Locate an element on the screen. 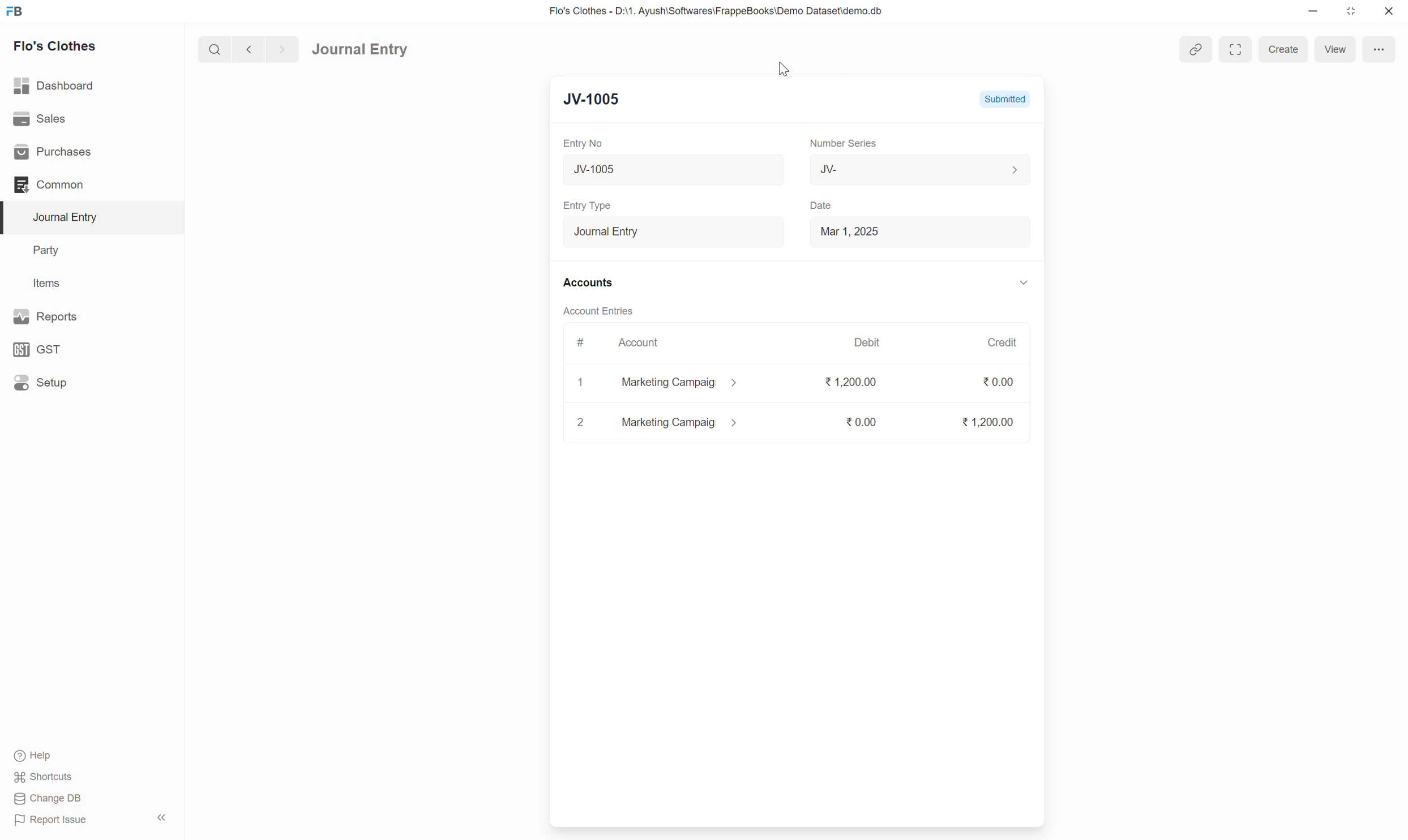 This screenshot has height=840, width=1408. Flo's Clothes - D:\1. Ayush\Softwares\FrappeBooks\Demo Dataset\demo.db is located at coordinates (719, 10).